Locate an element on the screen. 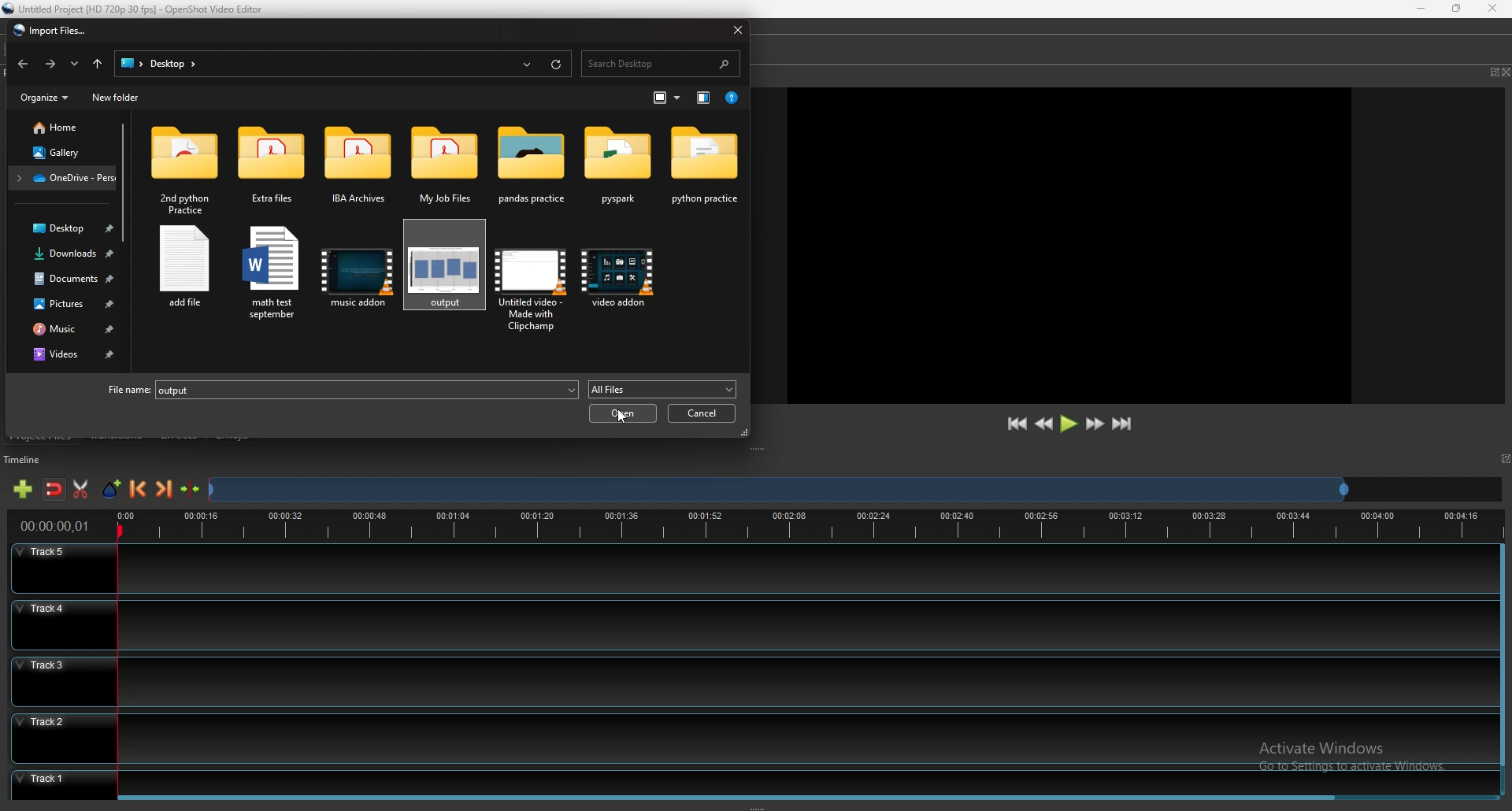  folder is located at coordinates (535, 165).